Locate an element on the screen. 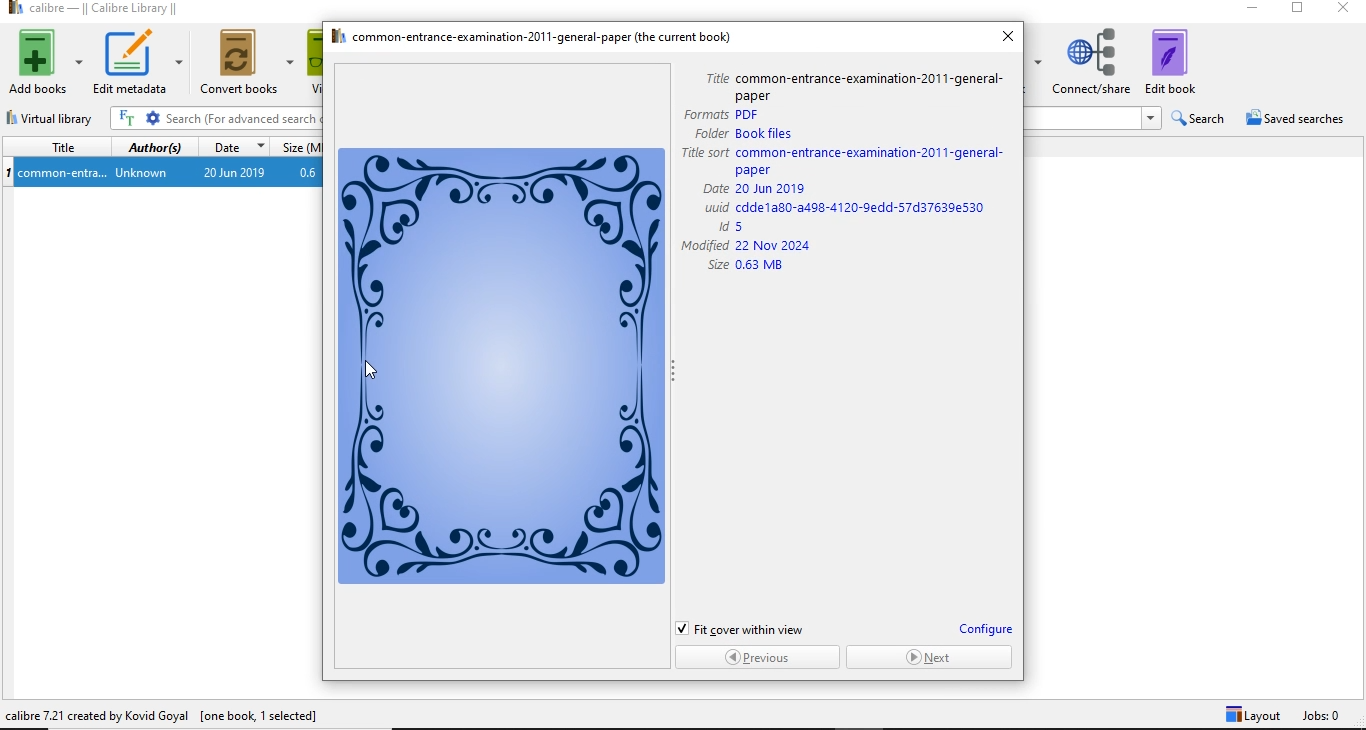 This screenshot has width=1366, height=730. size(MB) is located at coordinates (301, 148).